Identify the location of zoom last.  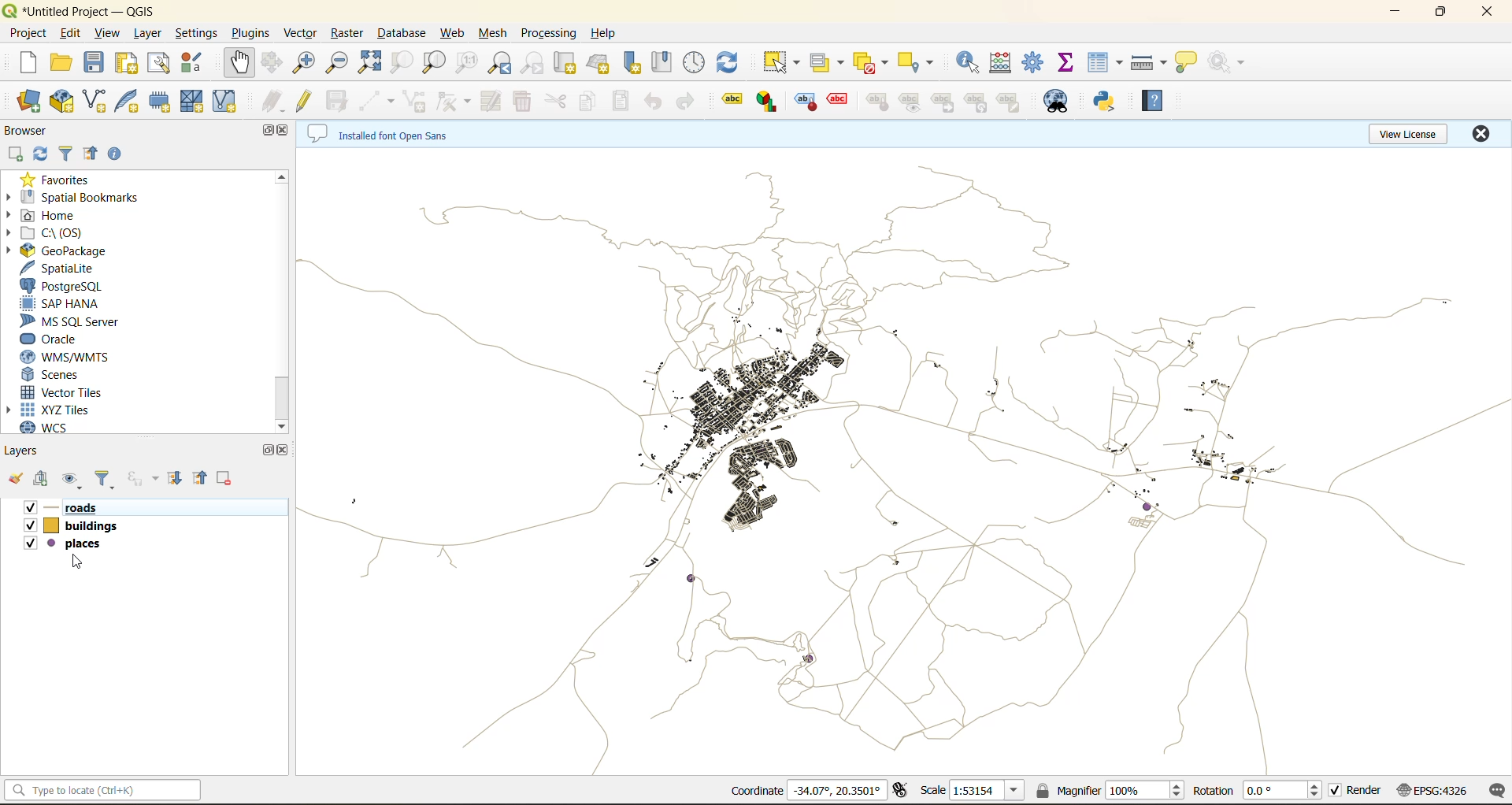
(506, 63).